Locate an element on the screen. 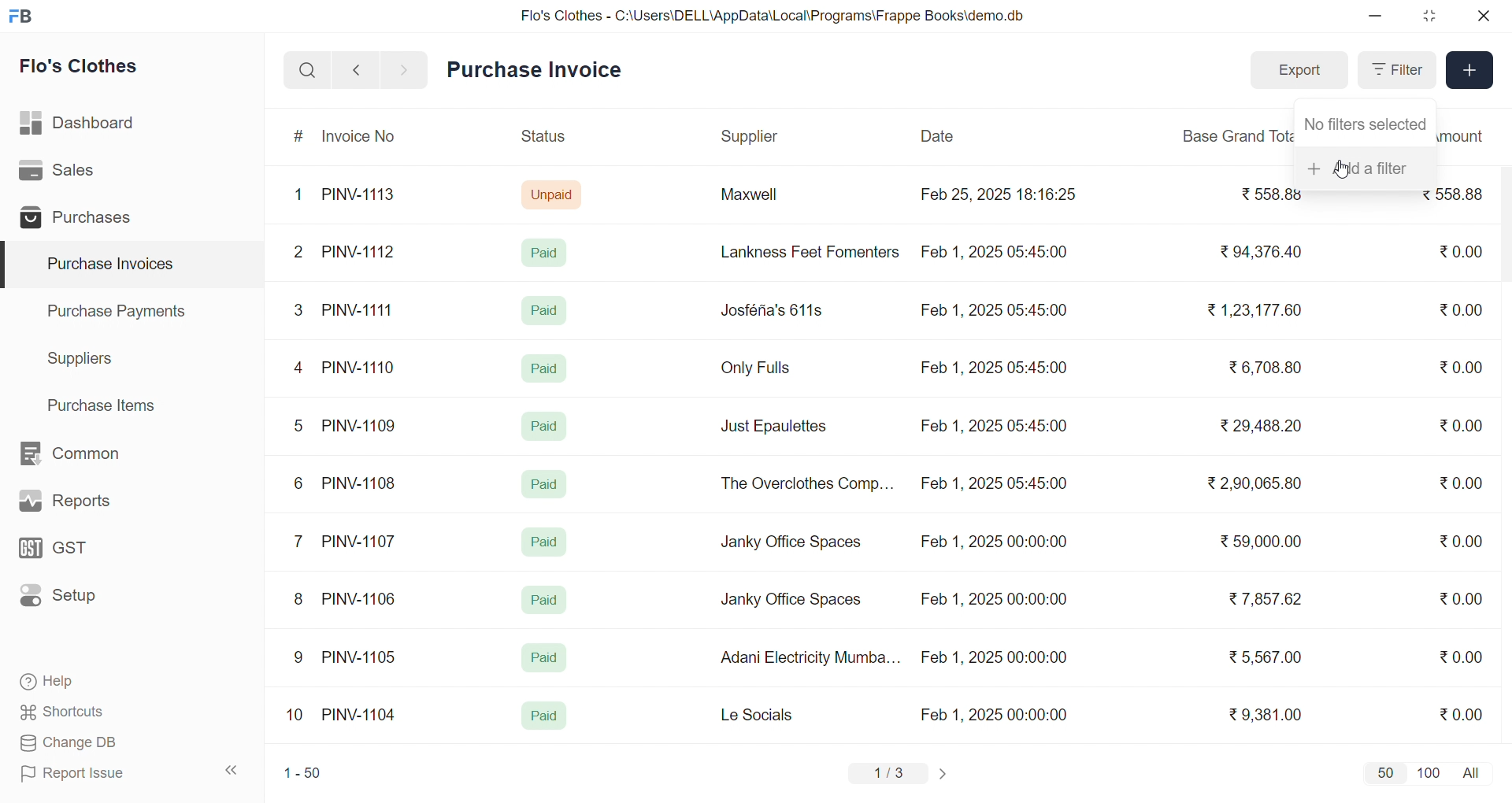  selected is located at coordinates (9, 265).